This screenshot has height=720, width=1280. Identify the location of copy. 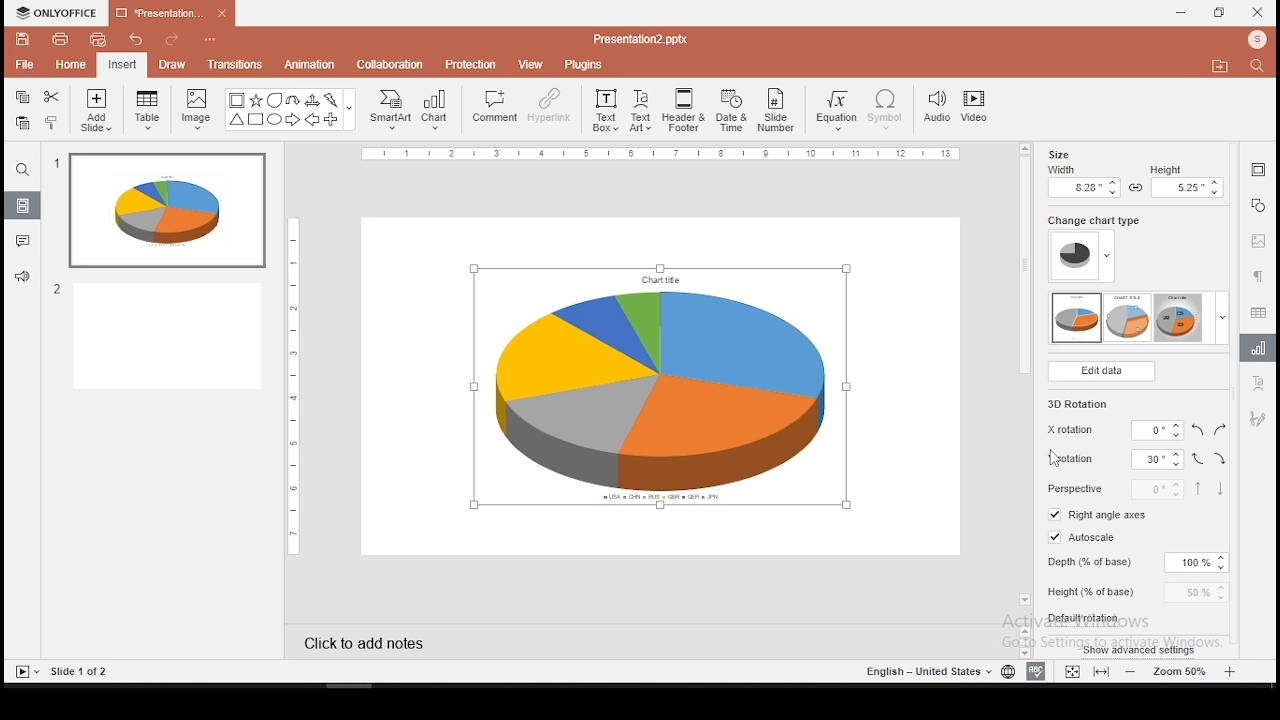
(23, 97).